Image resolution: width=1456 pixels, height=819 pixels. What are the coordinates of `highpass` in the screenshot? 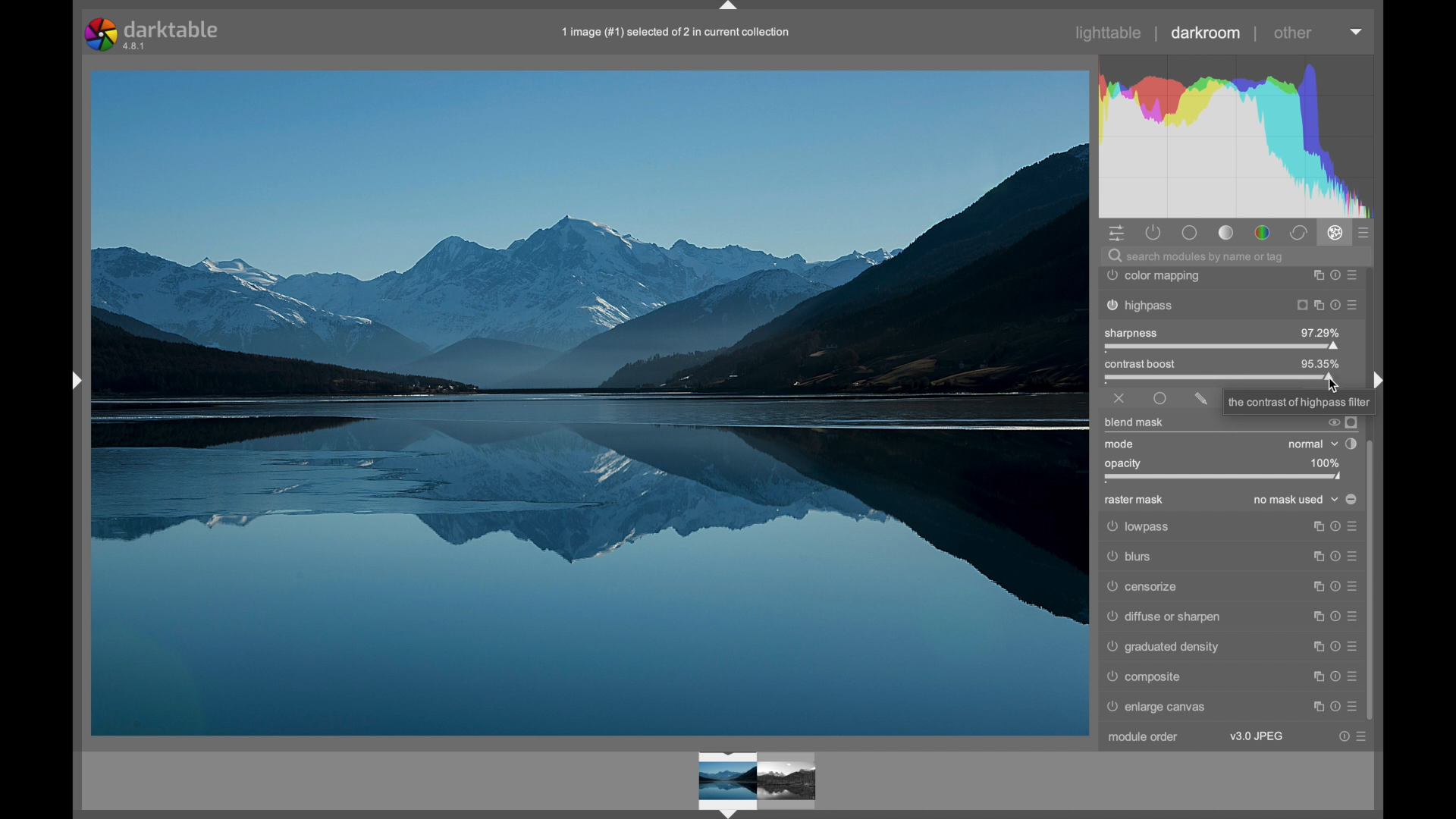 It's located at (1229, 306).